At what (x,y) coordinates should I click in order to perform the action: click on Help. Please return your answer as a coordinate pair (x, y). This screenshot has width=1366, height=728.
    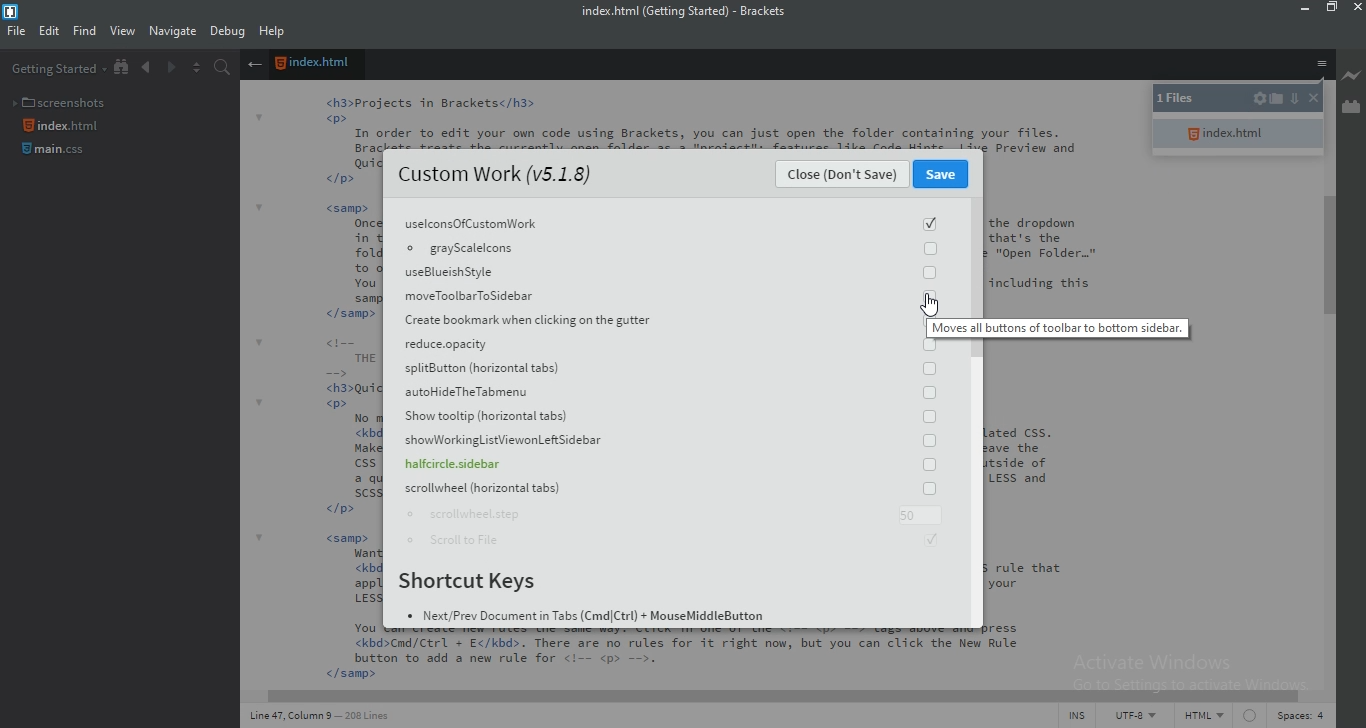
    Looking at the image, I should click on (274, 33).